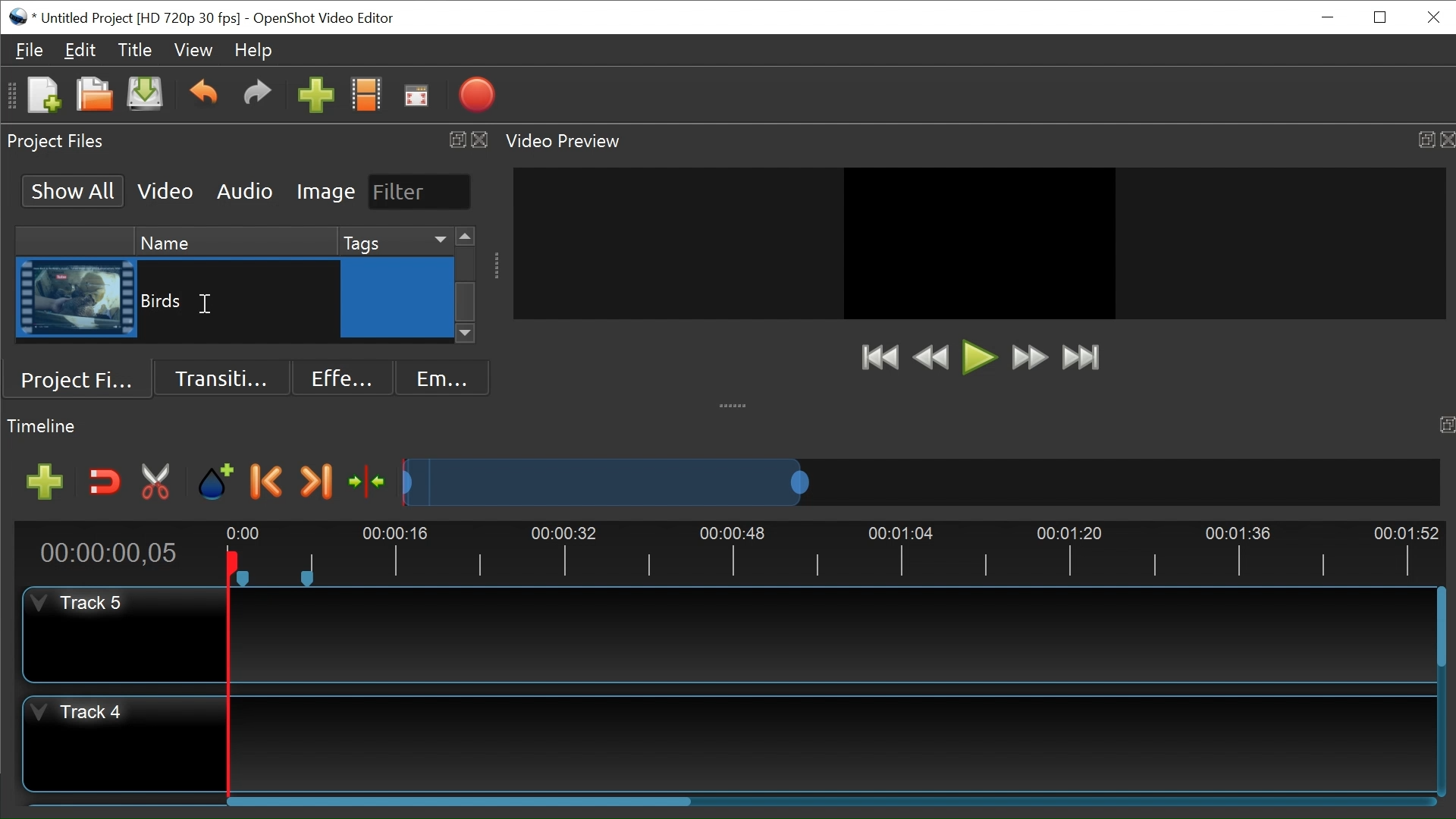 The width and height of the screenshot is (1456, 819). Describe the element at coordinates (243, 190) in the screenshot. I see `Audio` at that location.